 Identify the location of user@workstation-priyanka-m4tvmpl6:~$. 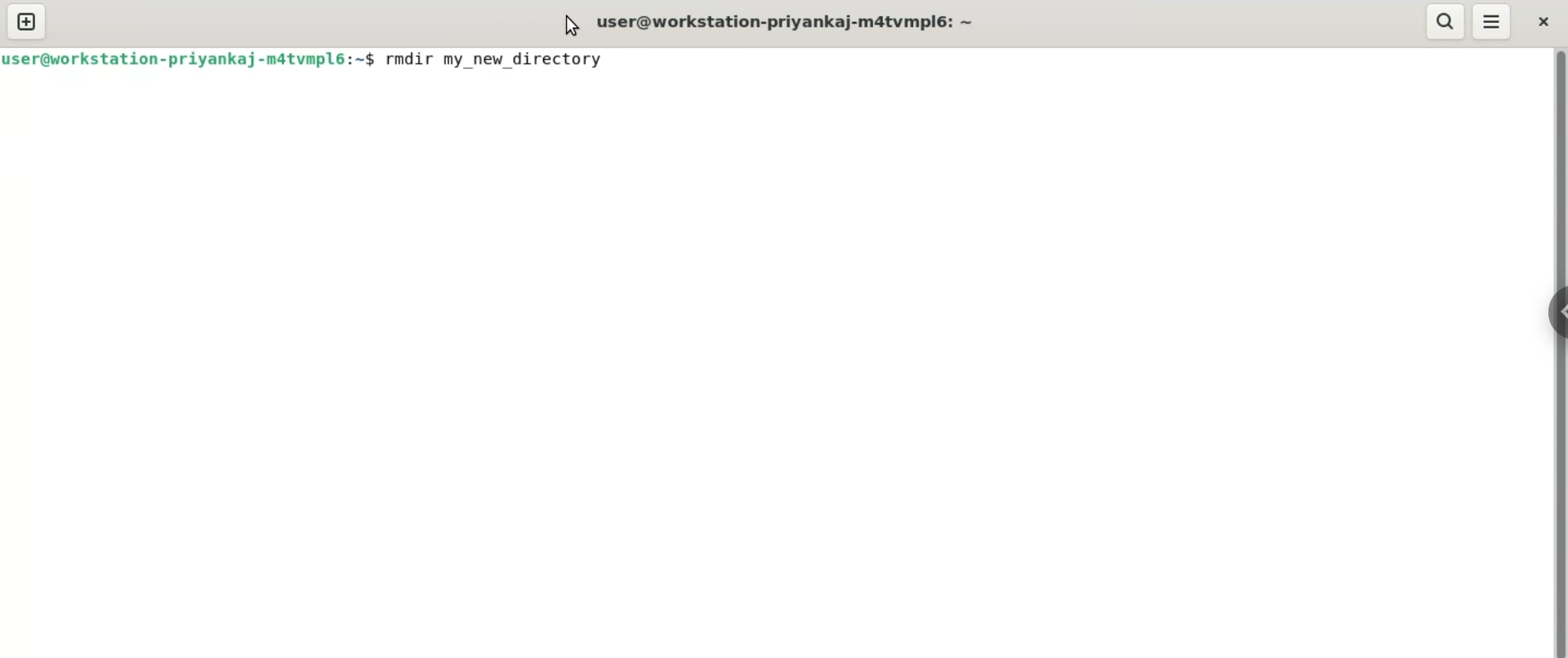
(191, 64).